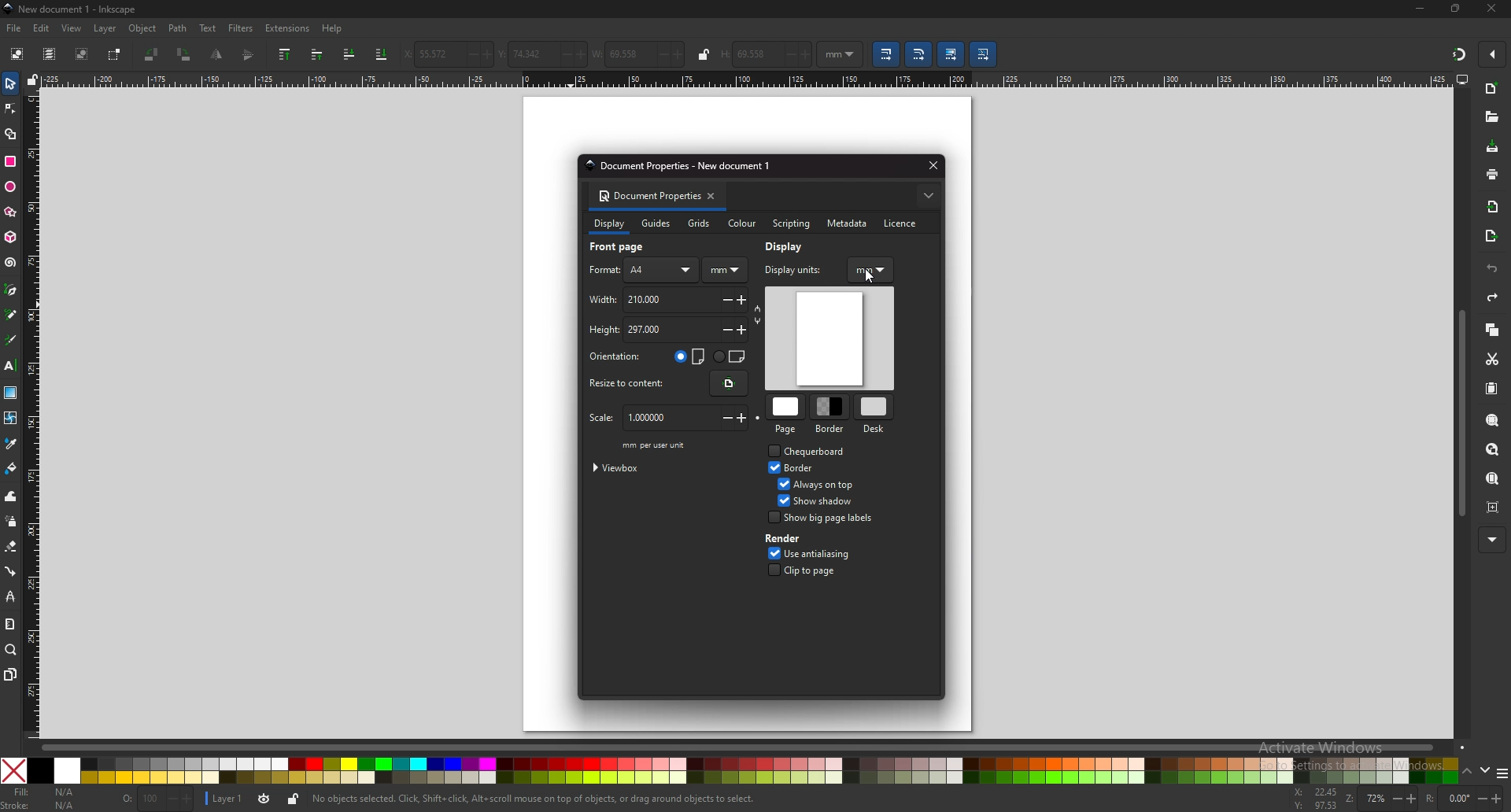  What do you see at coordinates (266, 799) in the screenshot?
I see `current layer visibility` at bounding box center [266, 799].